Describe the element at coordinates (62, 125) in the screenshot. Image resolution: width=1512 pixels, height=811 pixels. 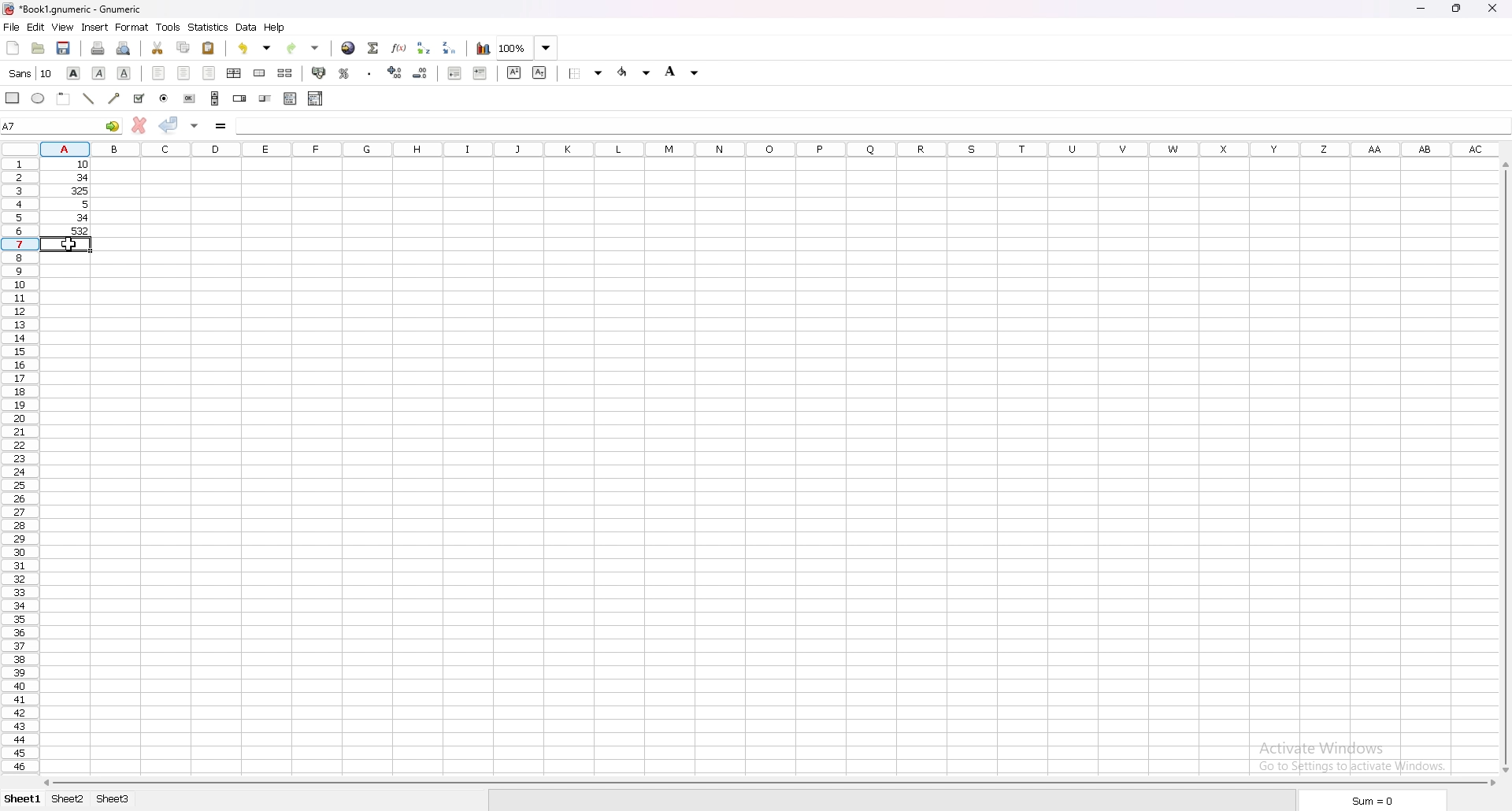
I see `A7` at that location.